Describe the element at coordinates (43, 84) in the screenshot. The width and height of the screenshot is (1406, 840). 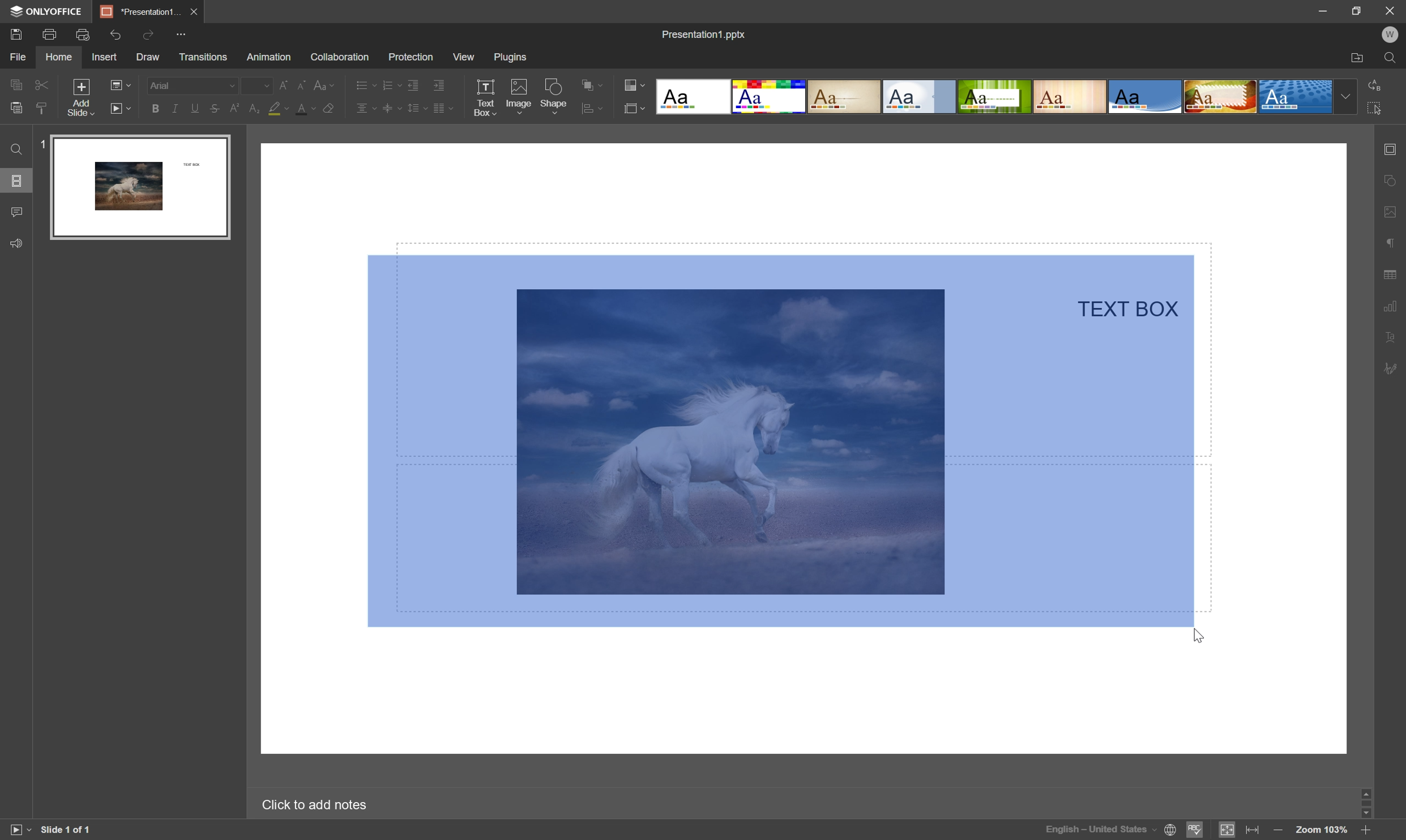
I see `cut` at that location.